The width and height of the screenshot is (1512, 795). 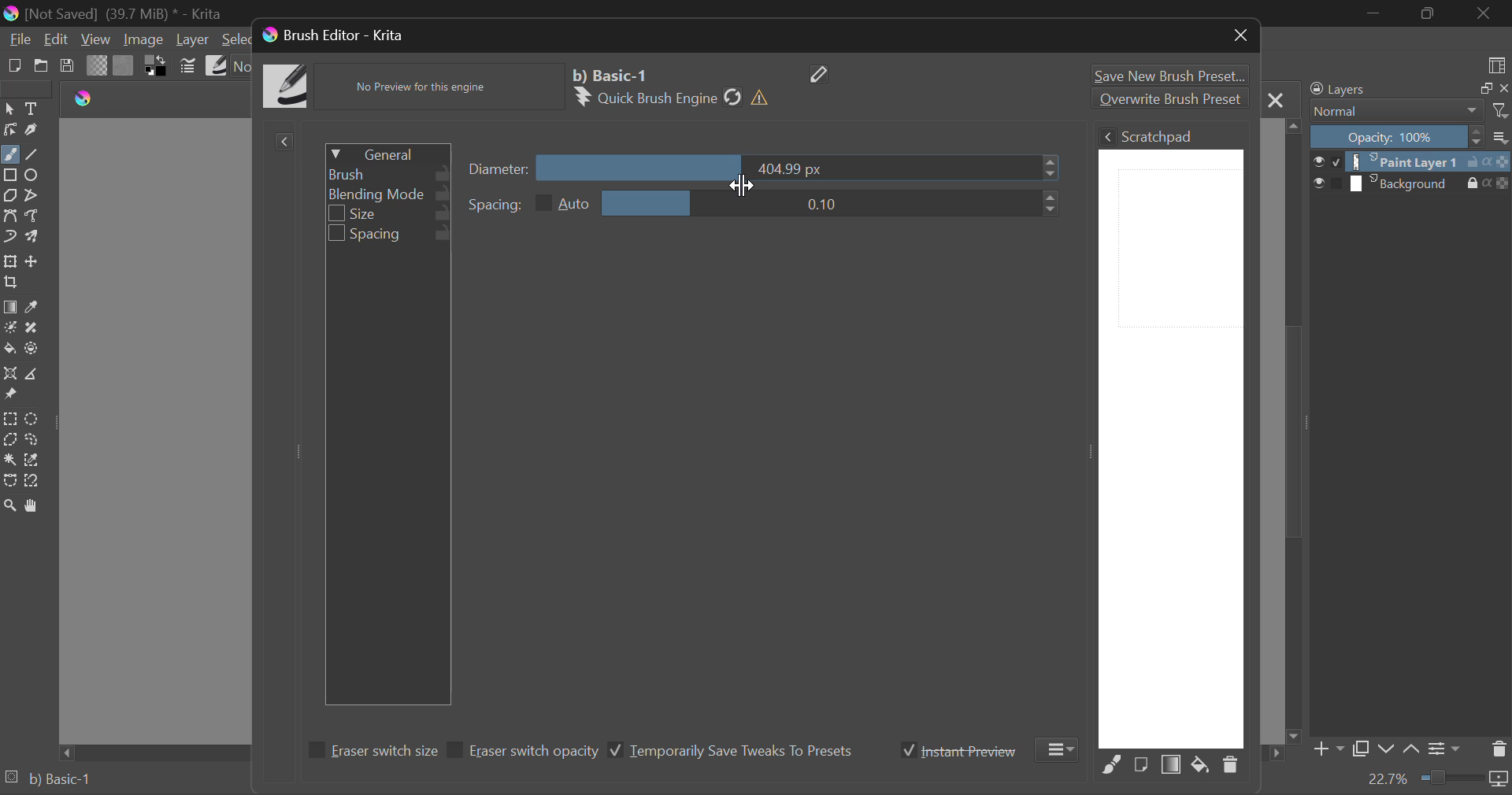 I want to click on Blending Mode, so click(x=1408, y=112).